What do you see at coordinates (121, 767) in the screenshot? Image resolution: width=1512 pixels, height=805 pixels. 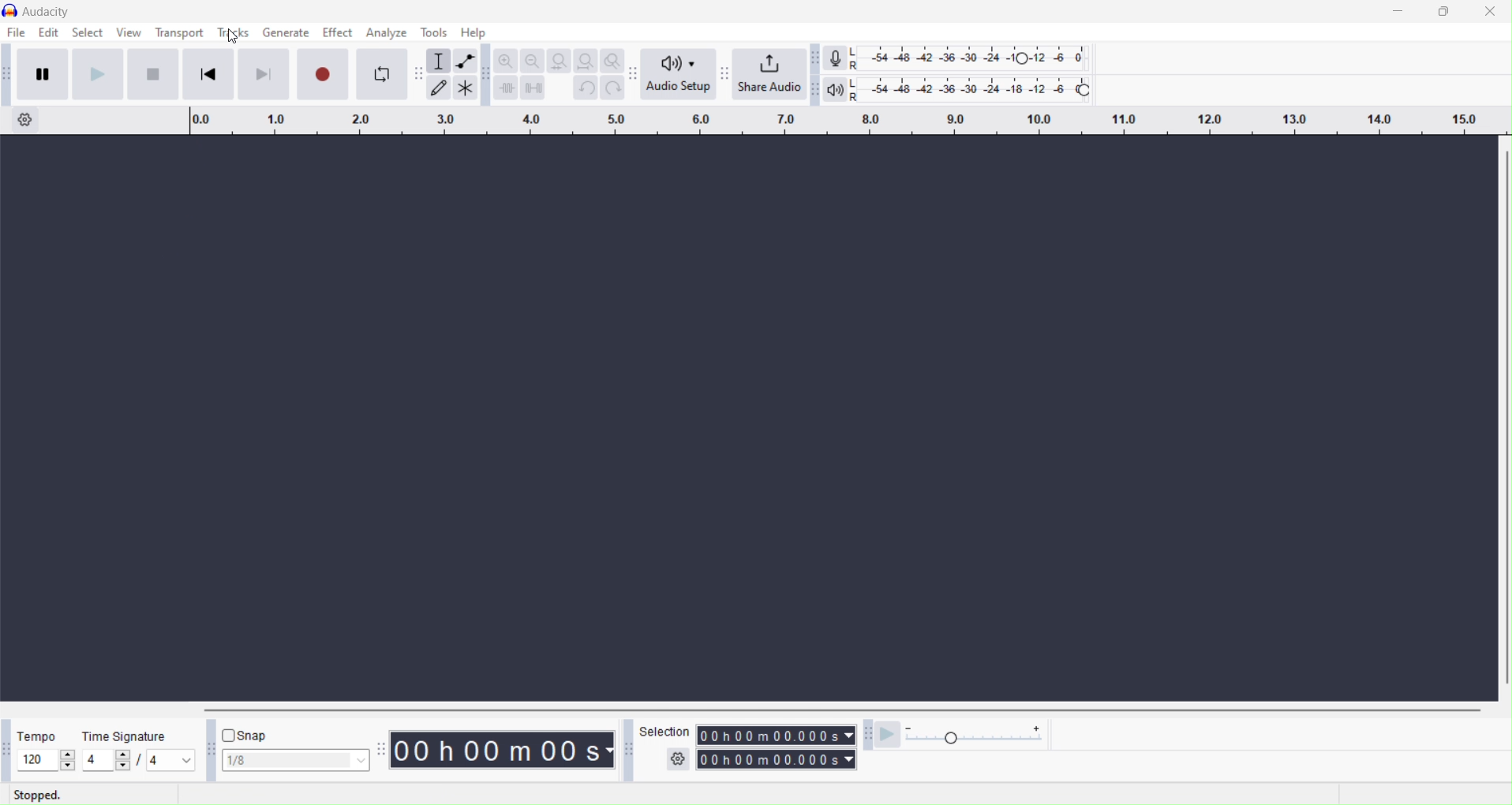 I see `decrease beat per measure` at bounding box center [121, 767].